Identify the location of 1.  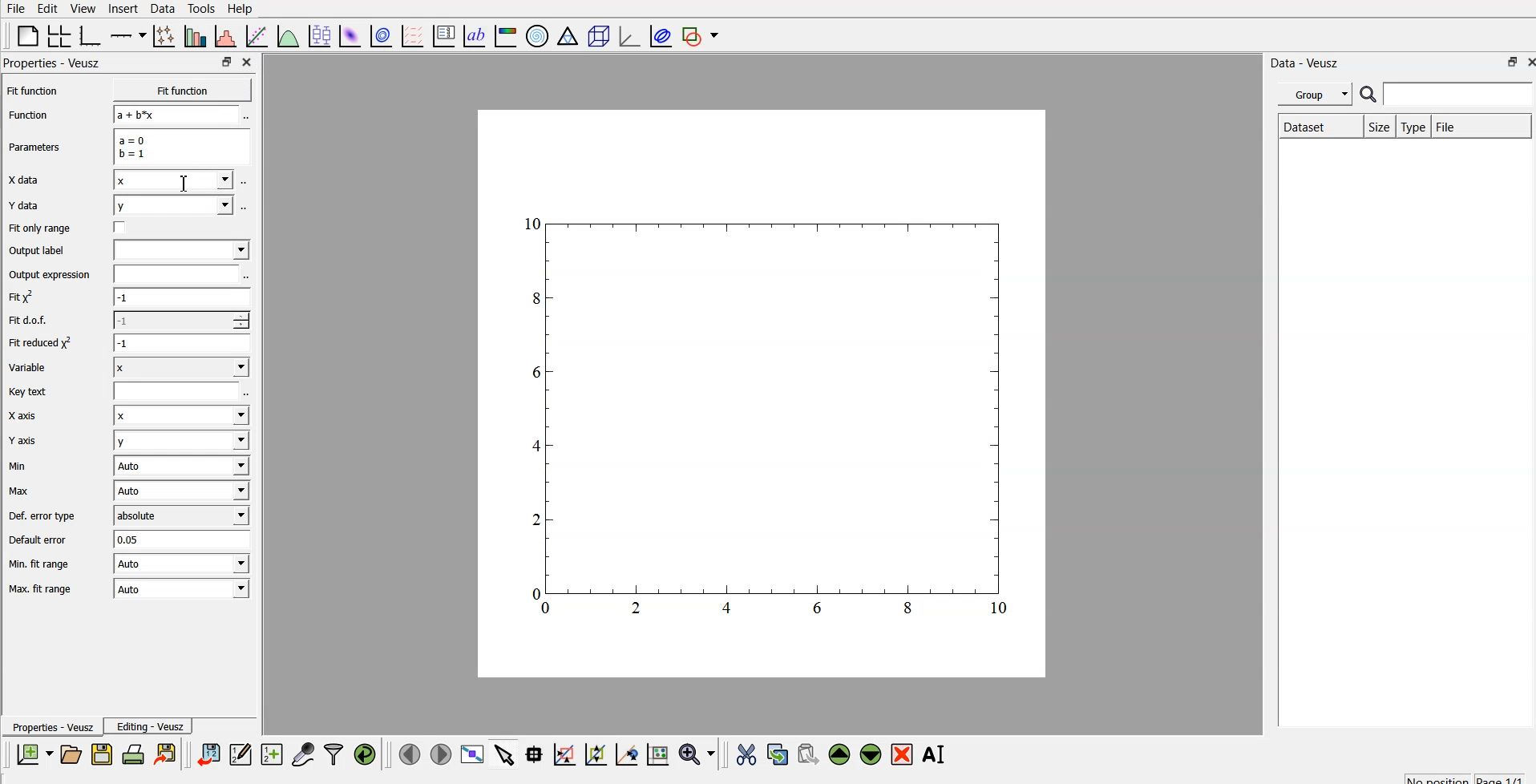
(180, 345).